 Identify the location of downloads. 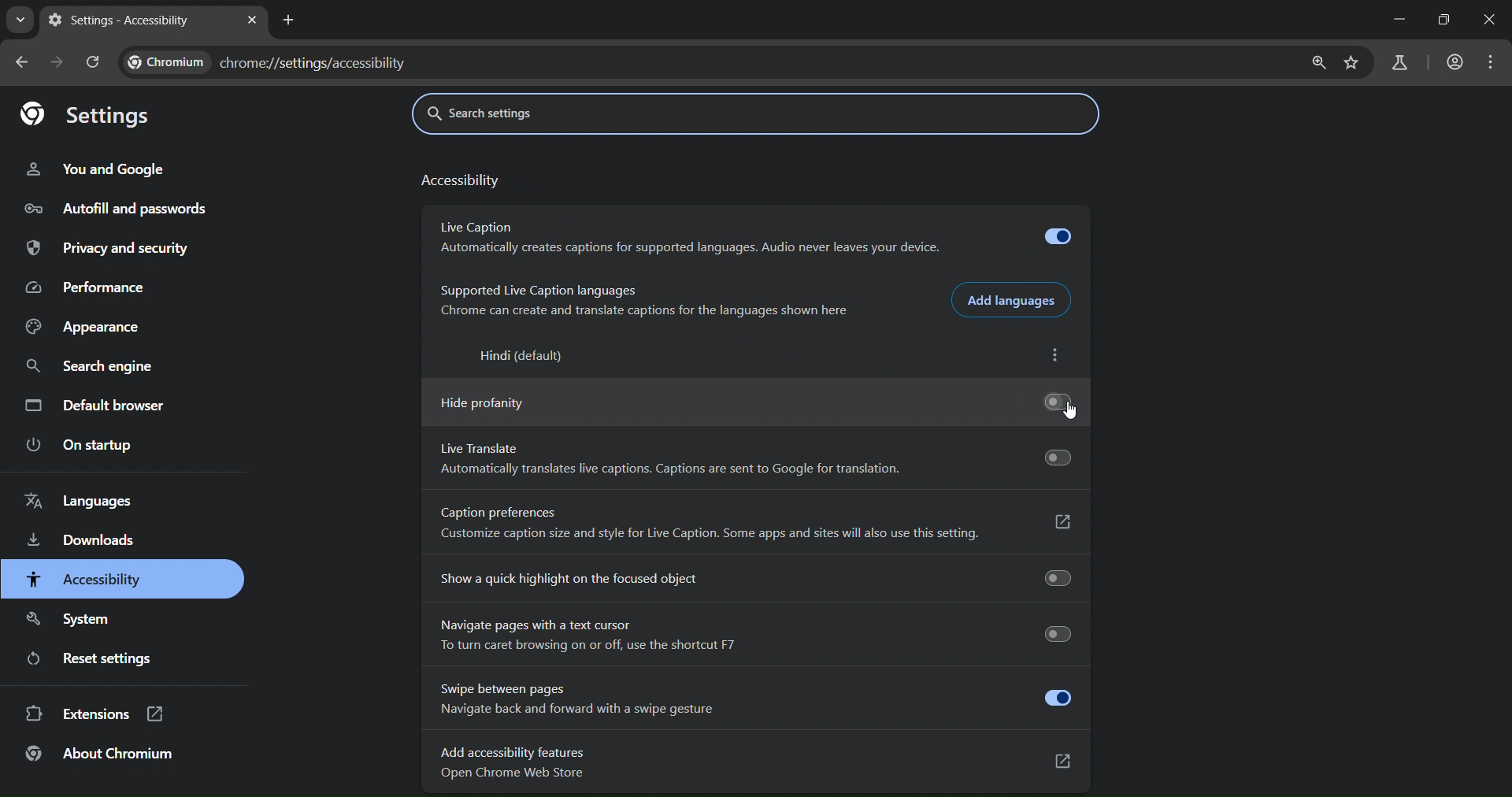
(86, 539).